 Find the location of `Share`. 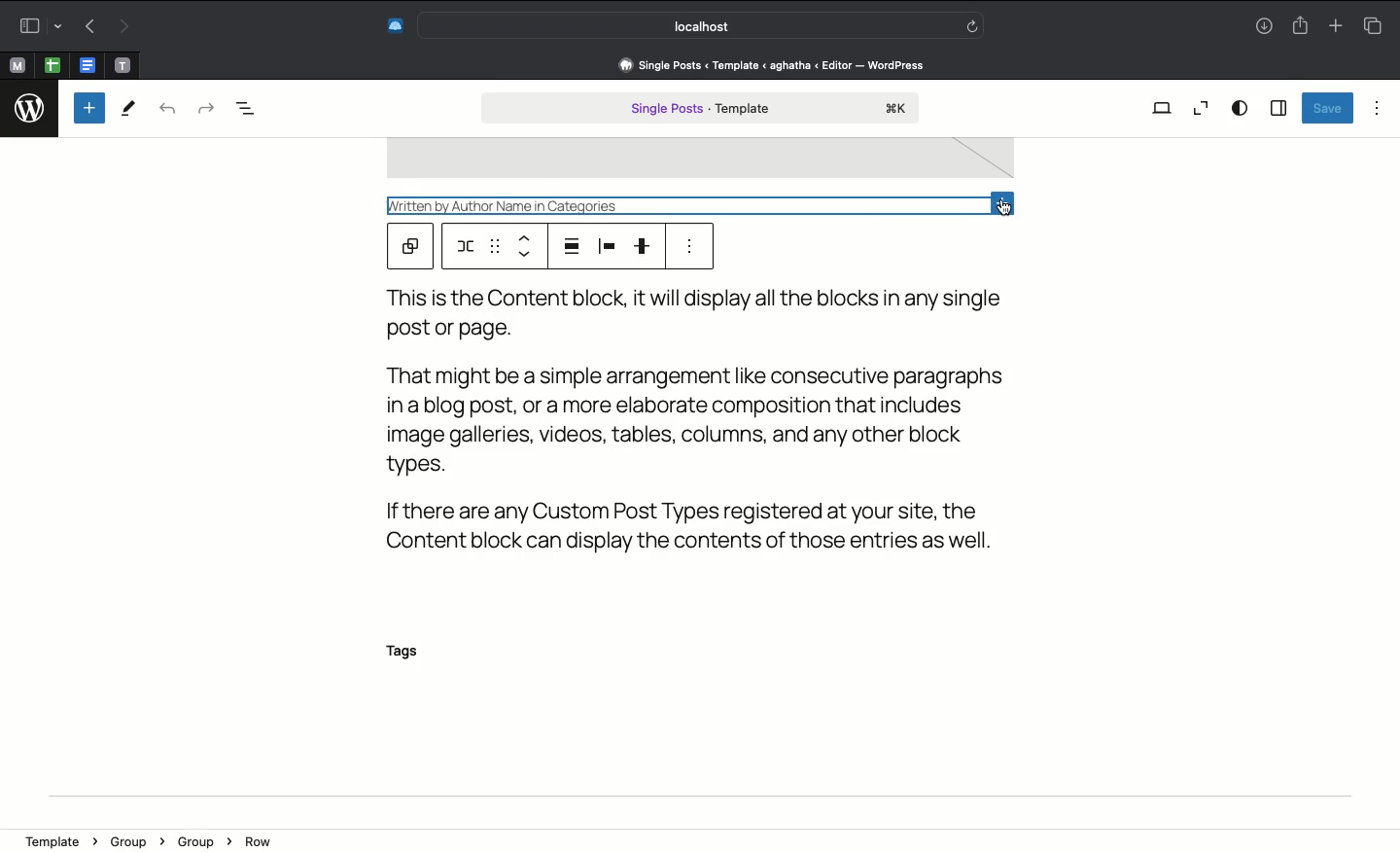

Share is located at coordinates (1300, 26).